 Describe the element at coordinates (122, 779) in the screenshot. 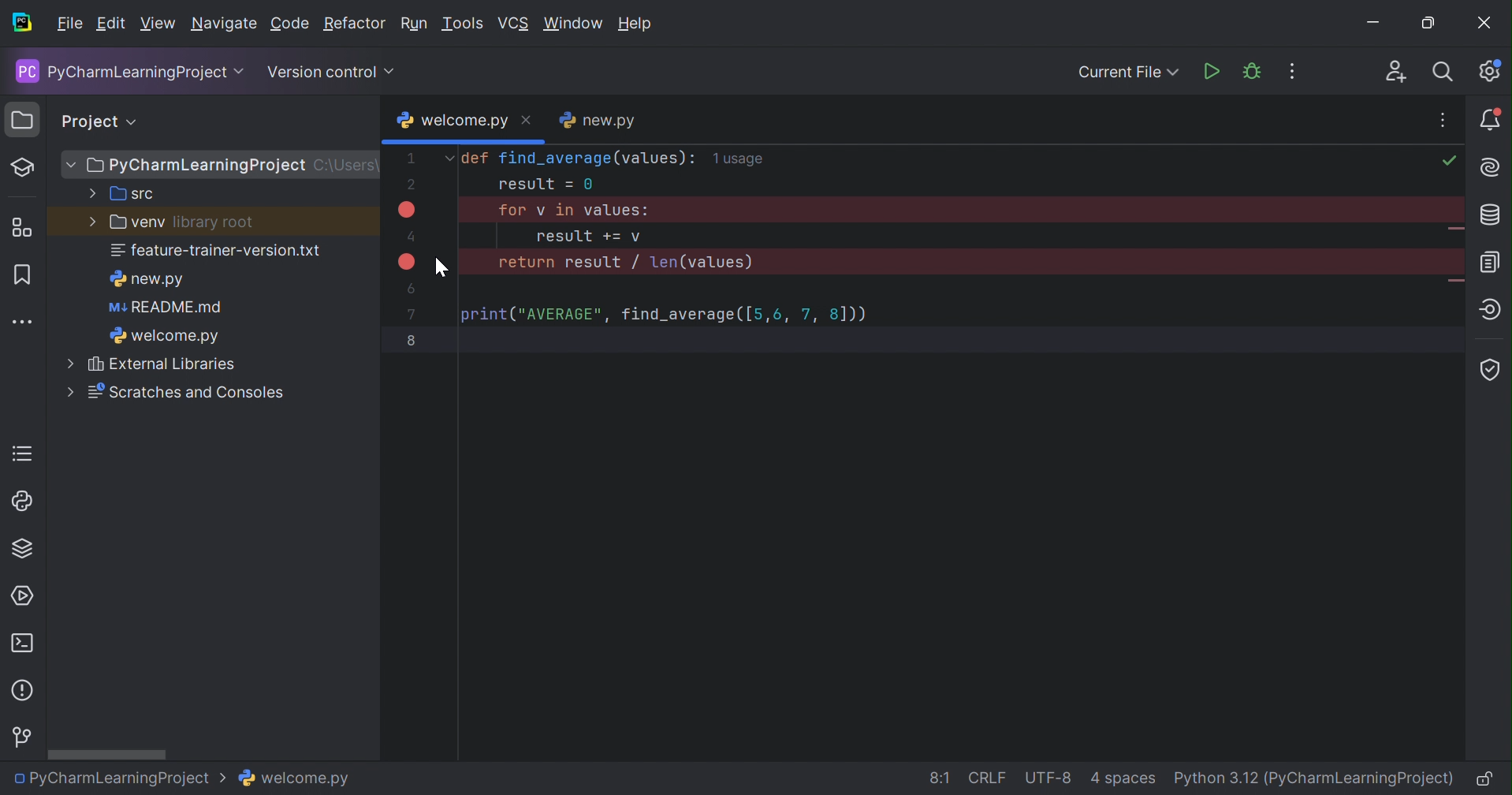

I see `PyCharmLearningProject` at that location.